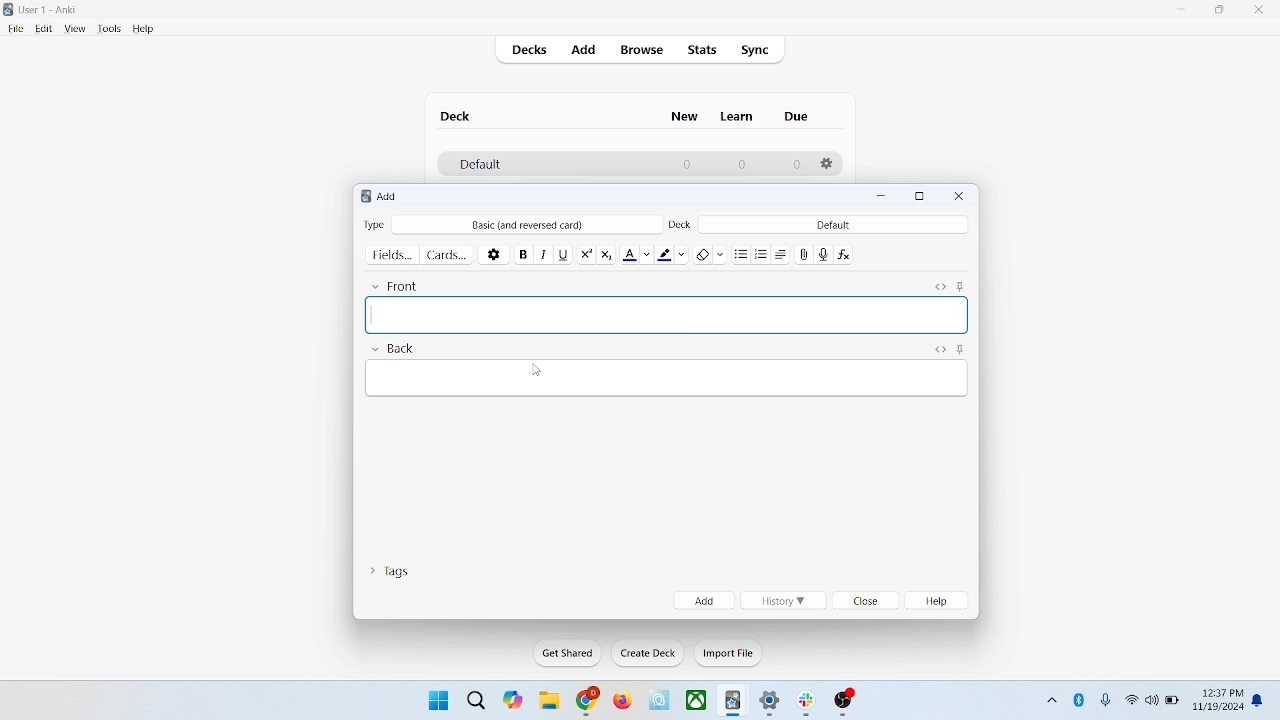 Image resolution: width=1280 pixels, height=720 pixels. What do you see at coordinates (479, 165) in the screenshot?
I see `default` at bounding box center [479, 165].